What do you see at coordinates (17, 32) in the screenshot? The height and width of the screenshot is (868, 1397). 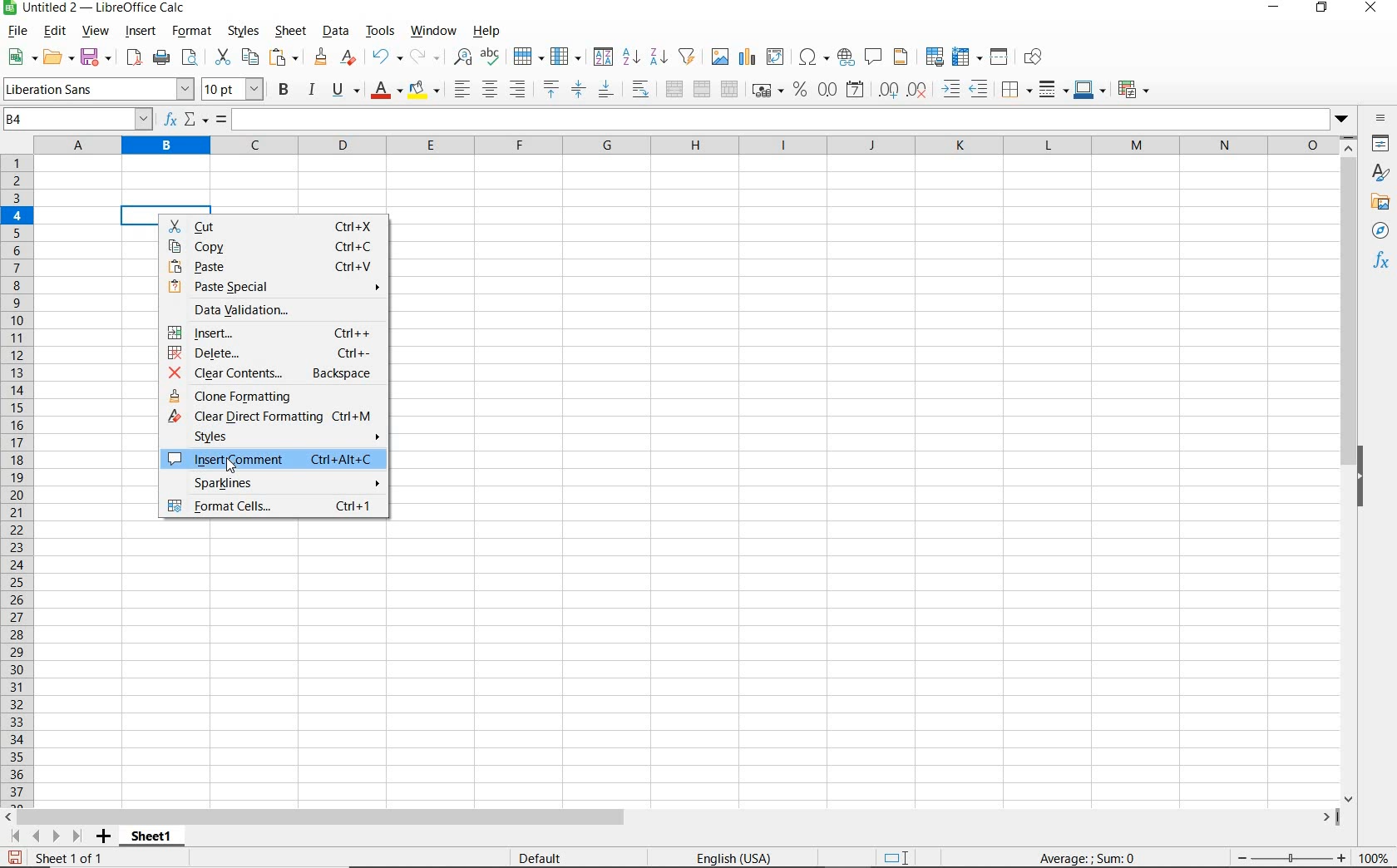 I see `file` at bounding box center [17, 32].